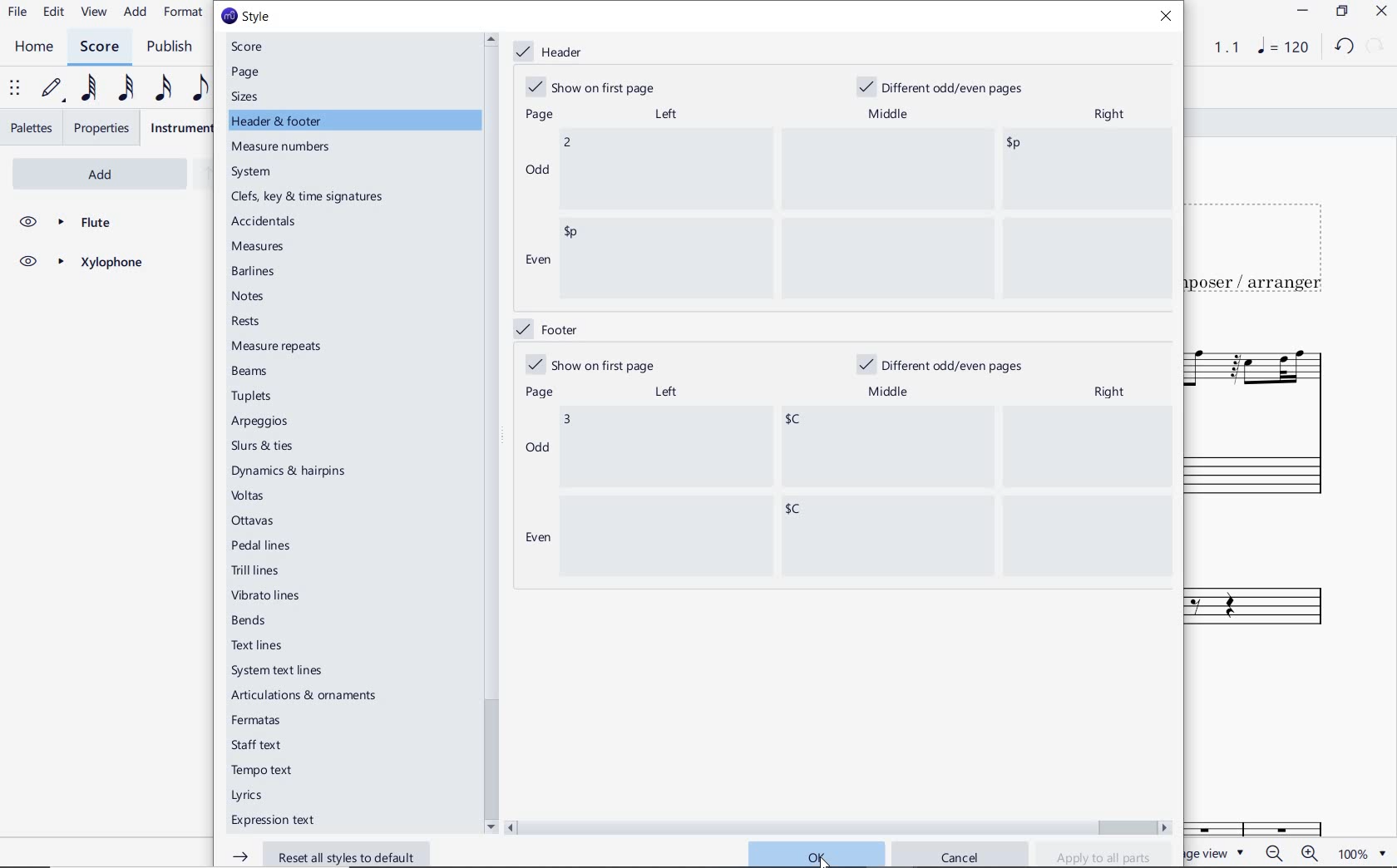  Describe the element at coordinates (245, 17) in the screenshot. I see `style` at that location.